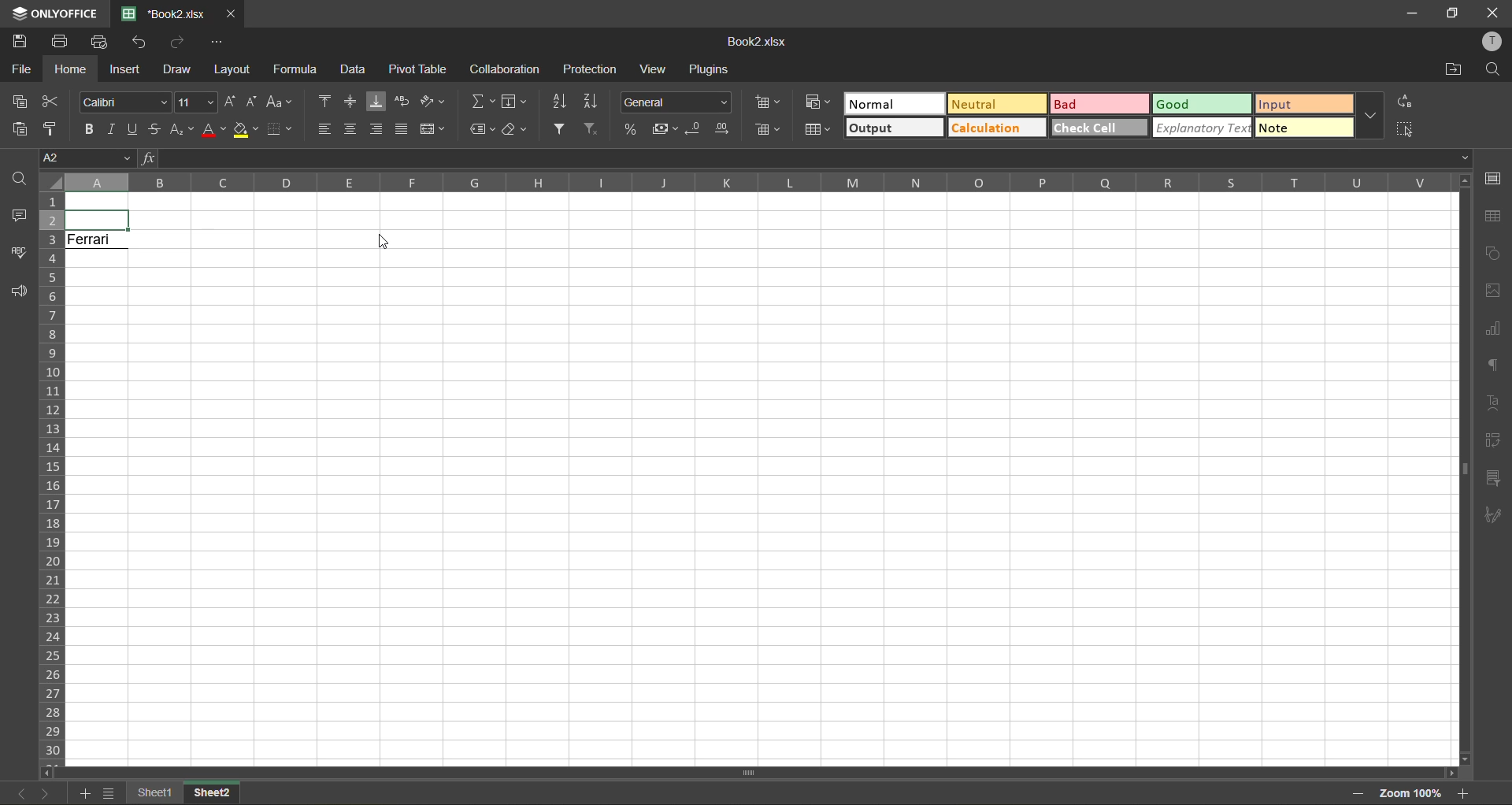 Image resolution: width=1512 pixels, height=805 pixels. I want to click on signature, so click(1494, 517).